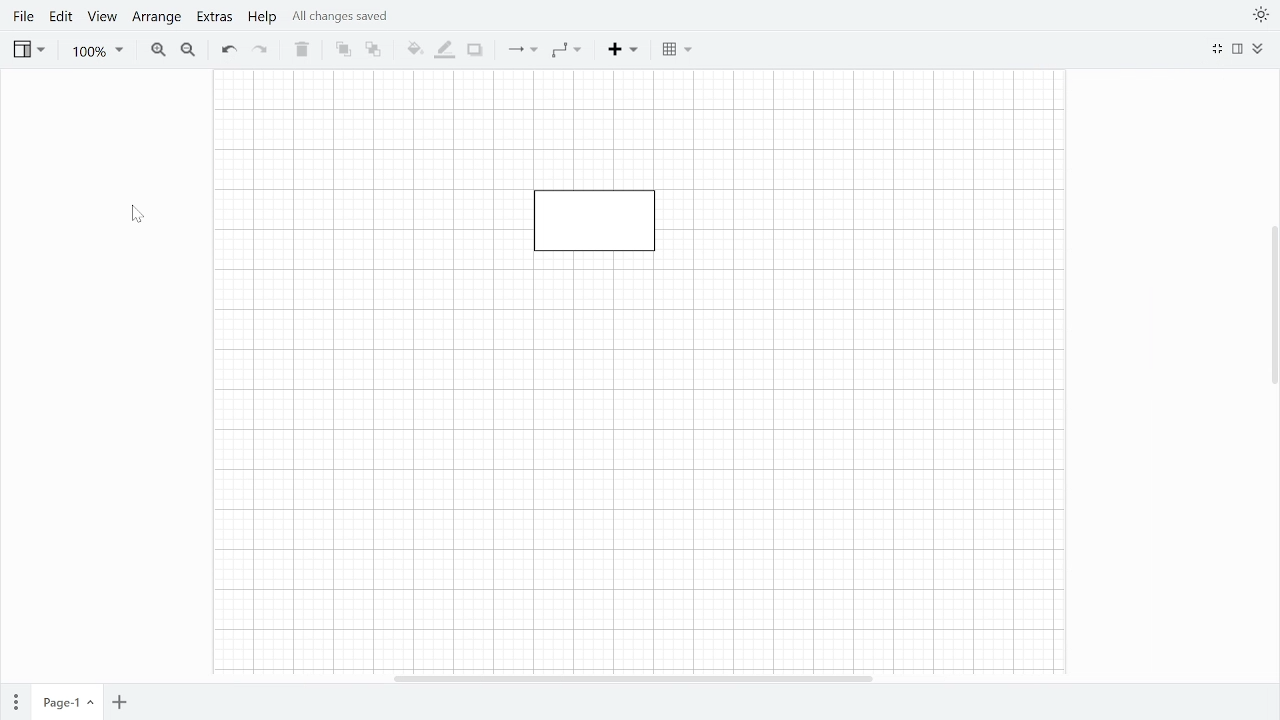 The height and width of the screenshot is (720, 1280). Describe the element at coordinates (301, 50) in the screenshot. I see `Delete` at that location.